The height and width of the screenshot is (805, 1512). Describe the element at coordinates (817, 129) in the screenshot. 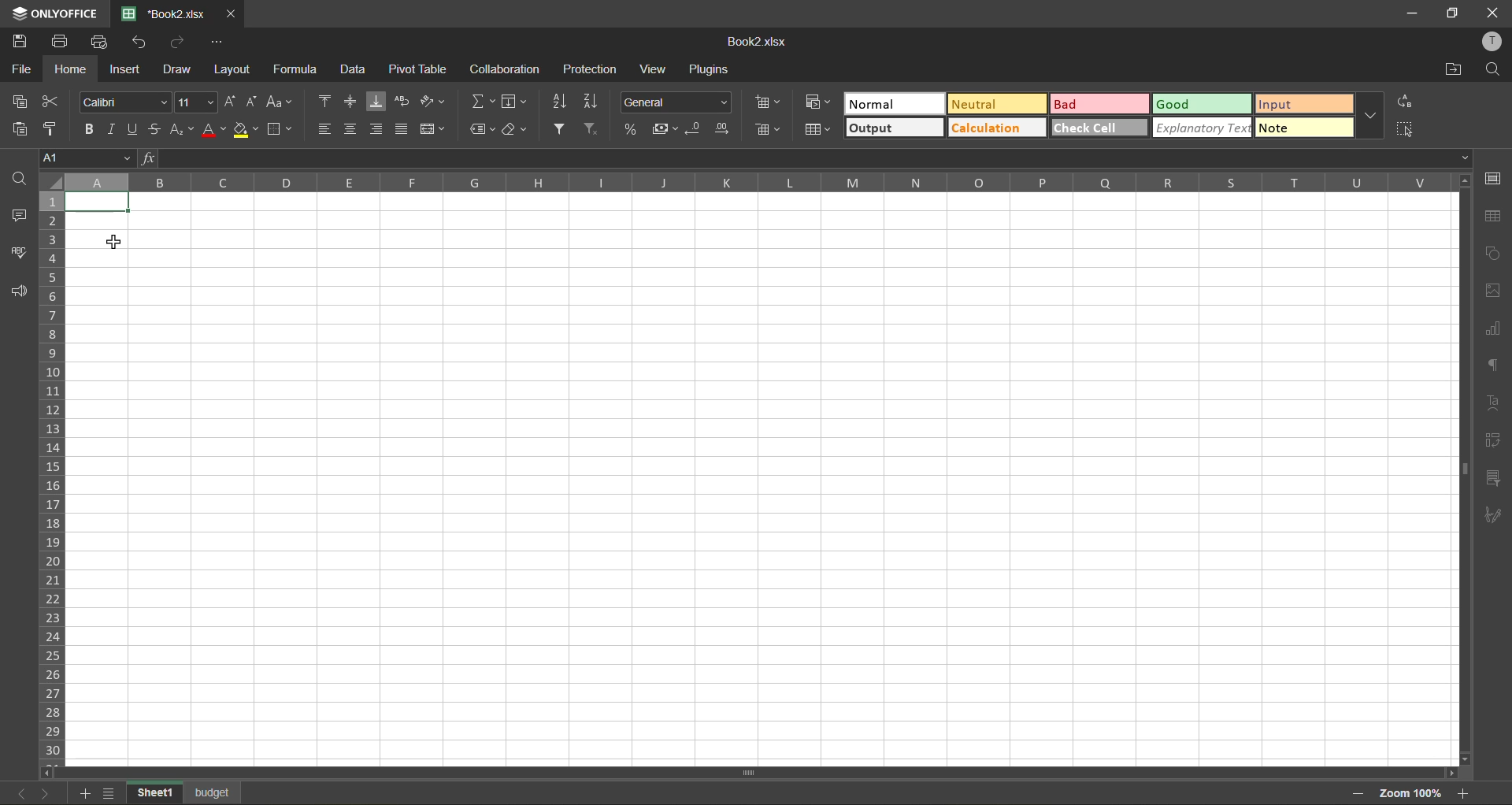

I see `format as table` at that location.